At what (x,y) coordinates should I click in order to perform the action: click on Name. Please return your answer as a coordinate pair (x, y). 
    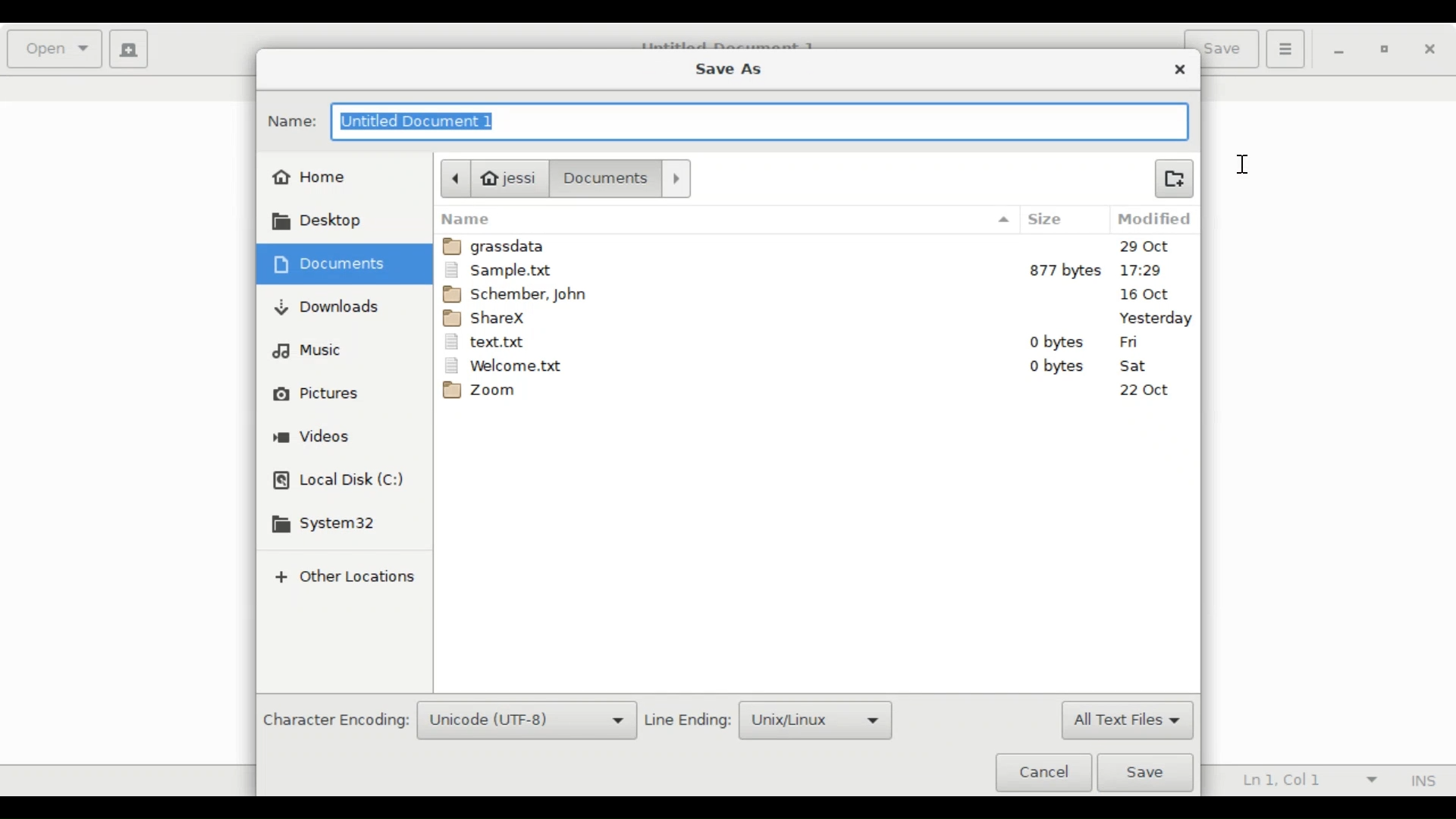
    Looking at the image, I should click on (293, 121).